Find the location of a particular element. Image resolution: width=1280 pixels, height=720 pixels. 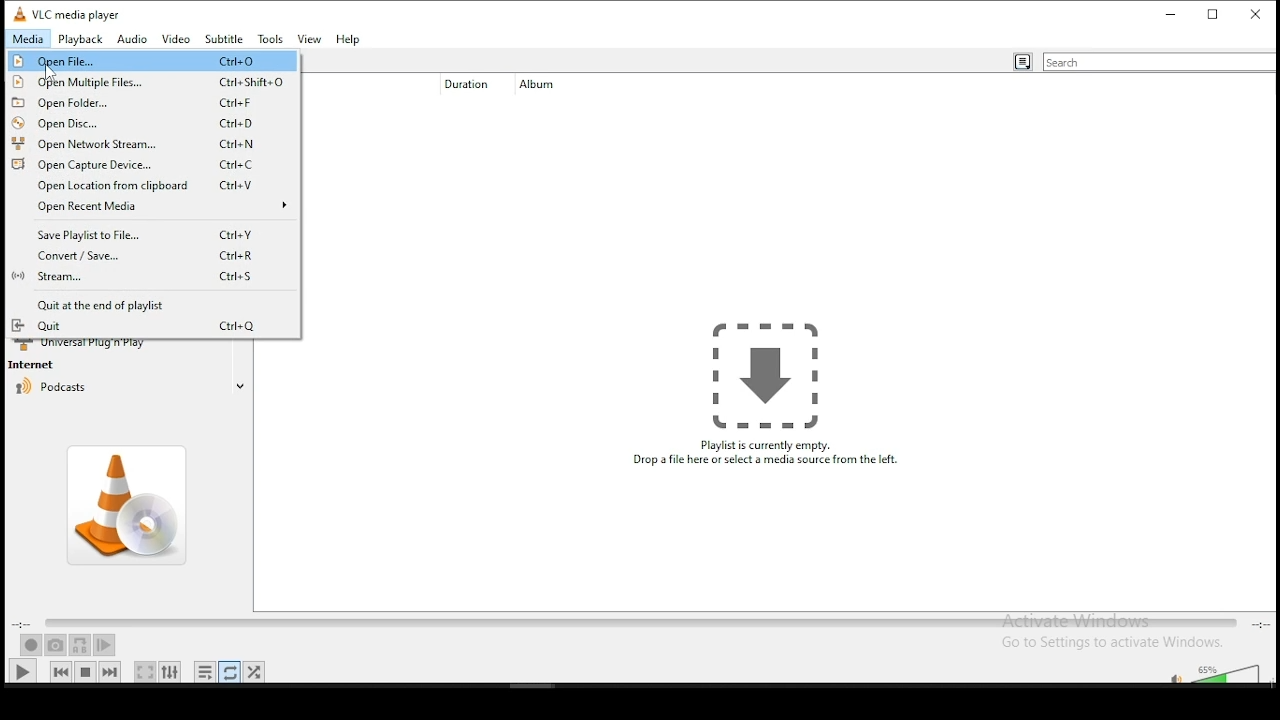

toggle video in fullscreen is located at coordinates (145, 671).